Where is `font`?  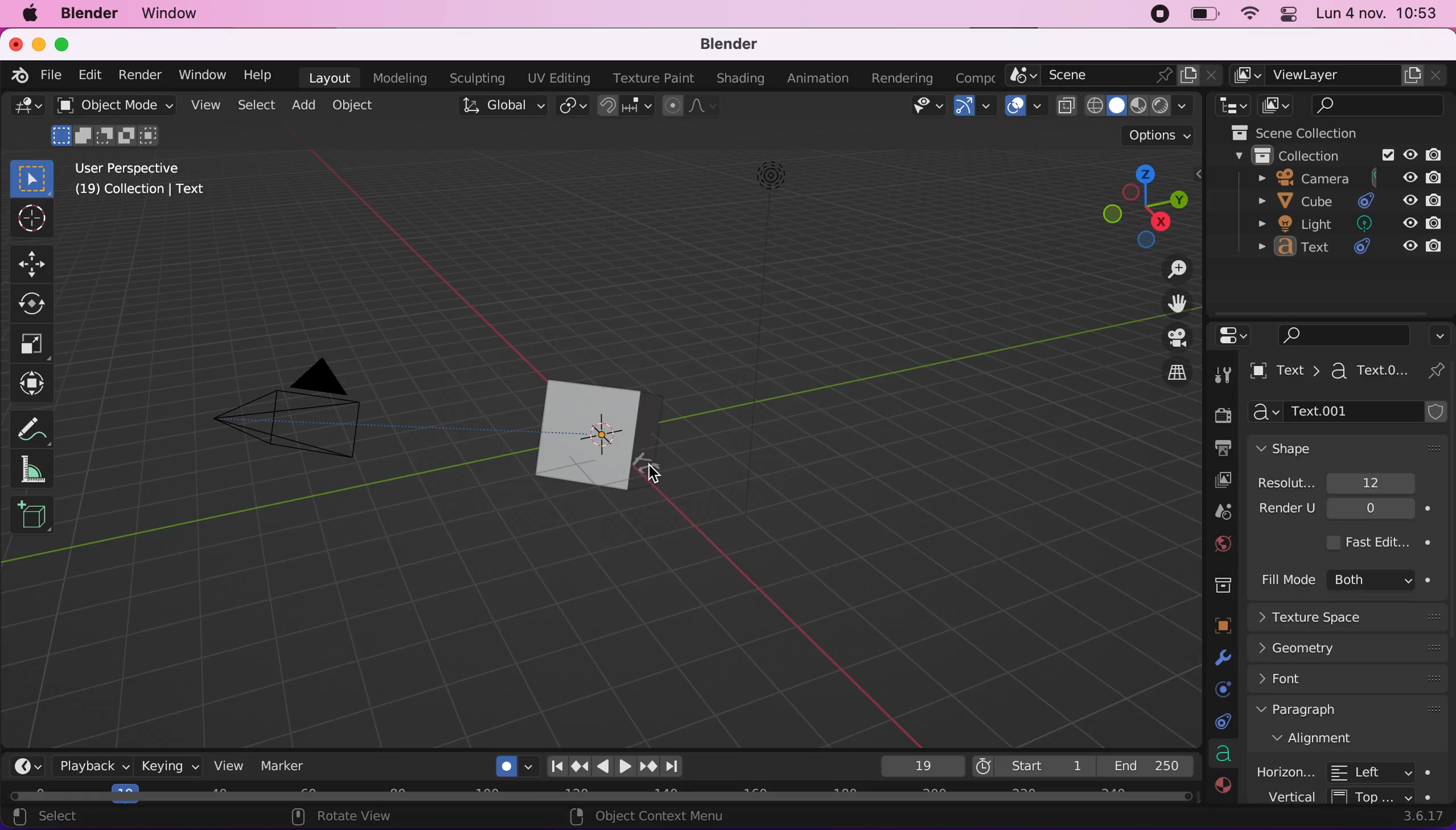
font is located at coordinates (1349, 683).